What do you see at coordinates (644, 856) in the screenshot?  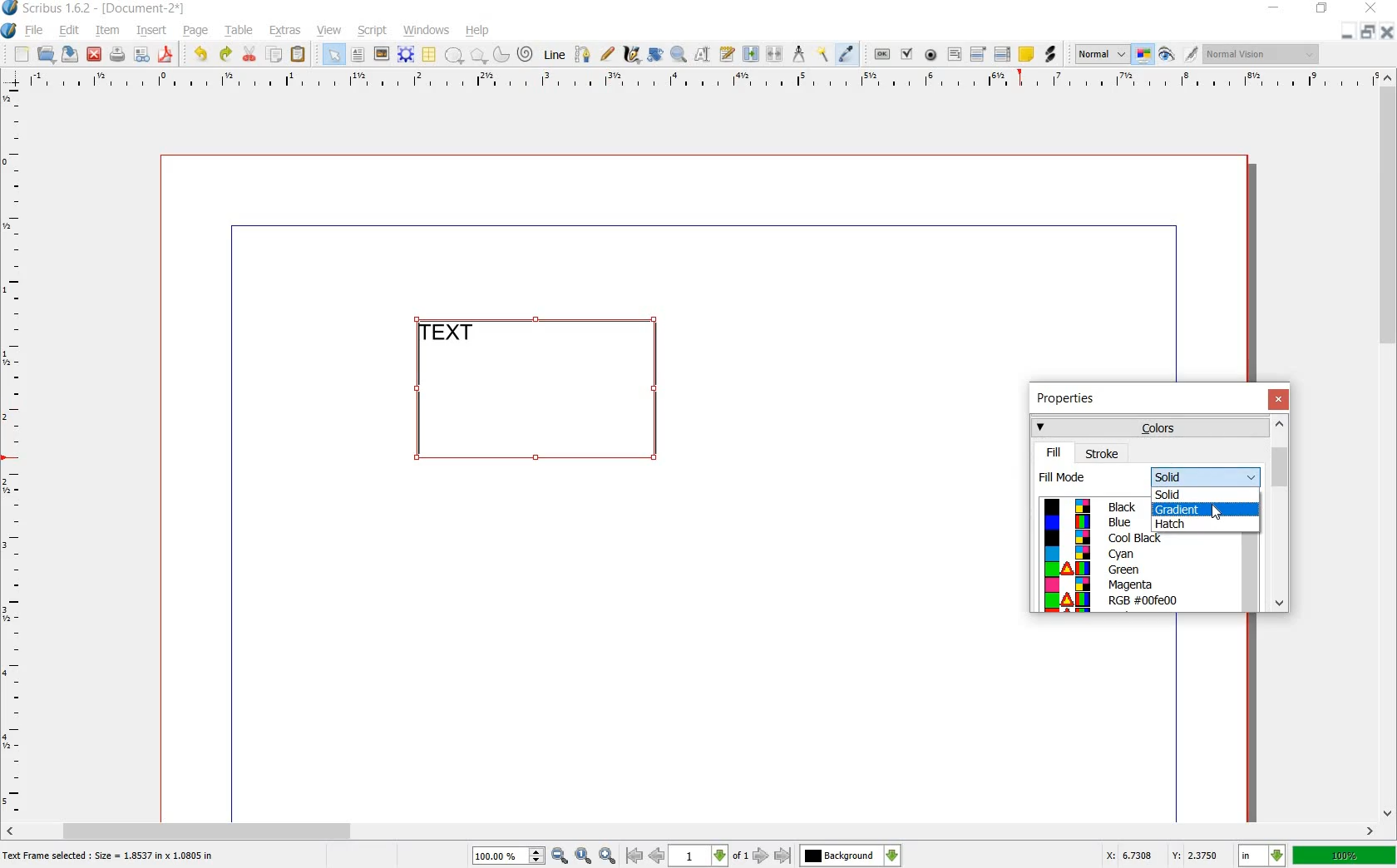 I see `go to previous or first page` at bounding box center [644, 856].